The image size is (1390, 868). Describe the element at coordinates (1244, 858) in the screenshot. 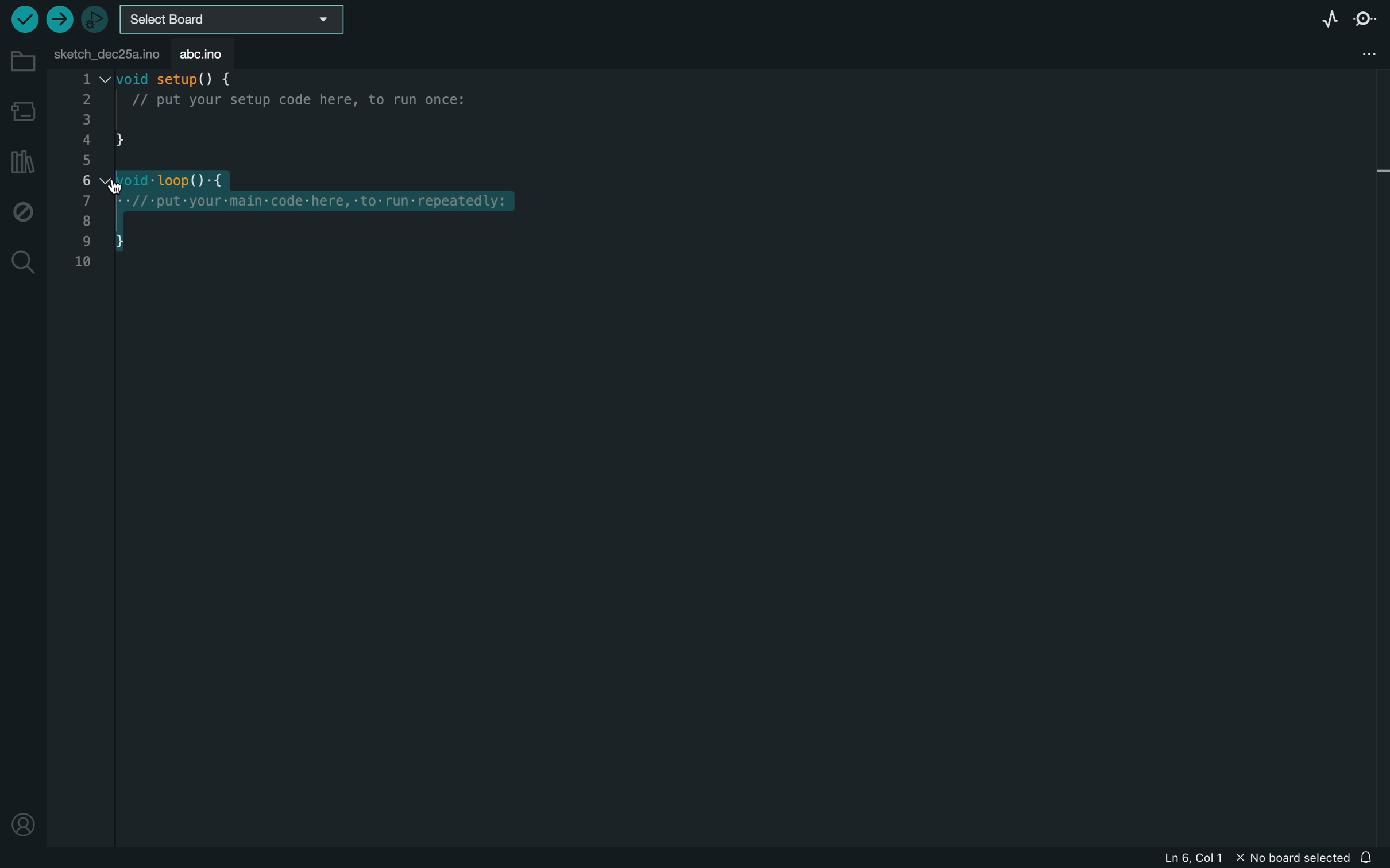

I see `file  information` at that location.